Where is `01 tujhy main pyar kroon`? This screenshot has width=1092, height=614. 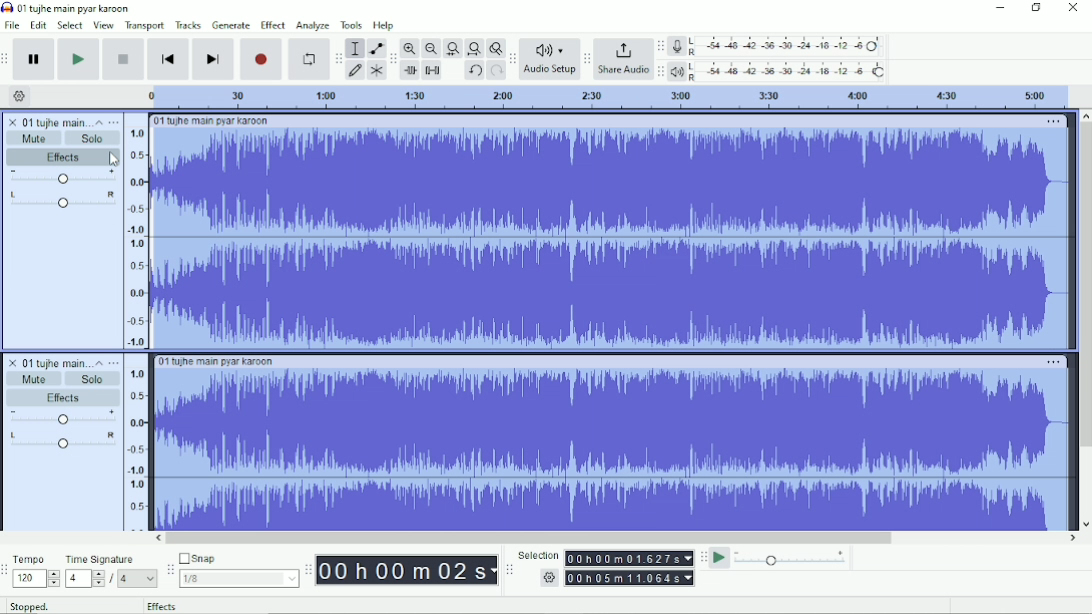
01 tujhy main pyar kroon is located at coordinates (218, 362).